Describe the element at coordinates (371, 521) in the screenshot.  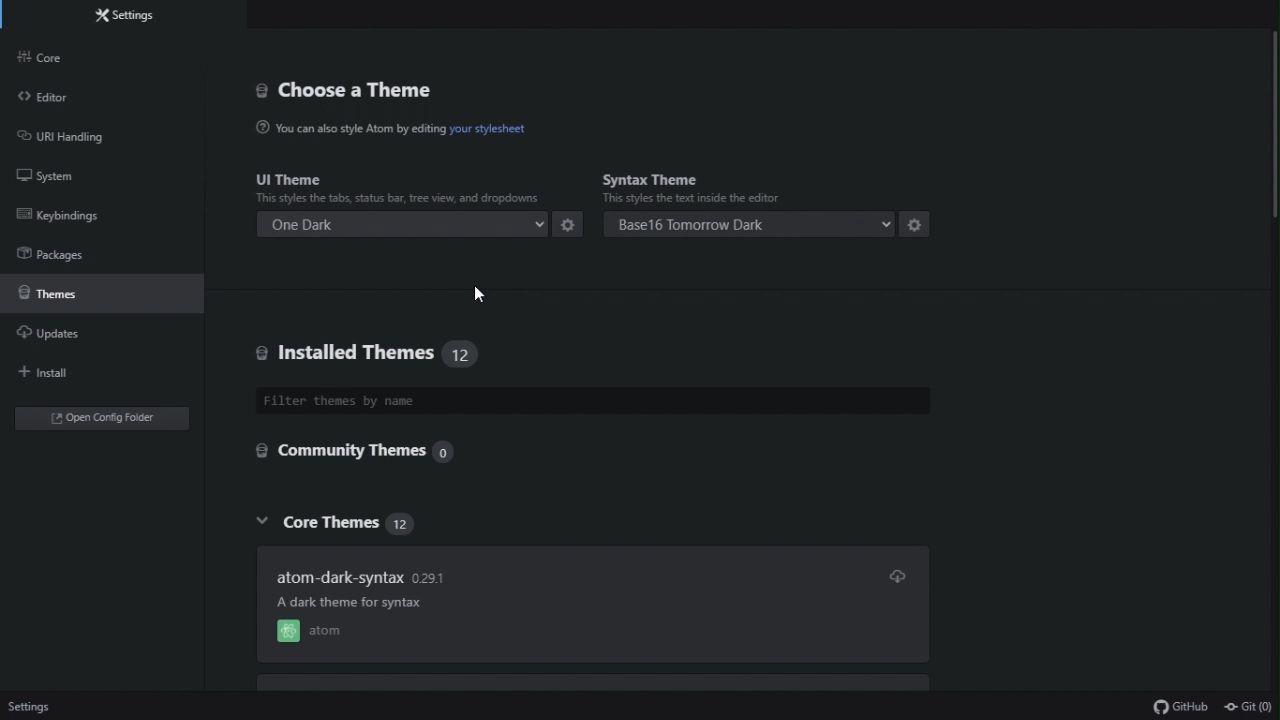
I see `Core themes 12` at that location.